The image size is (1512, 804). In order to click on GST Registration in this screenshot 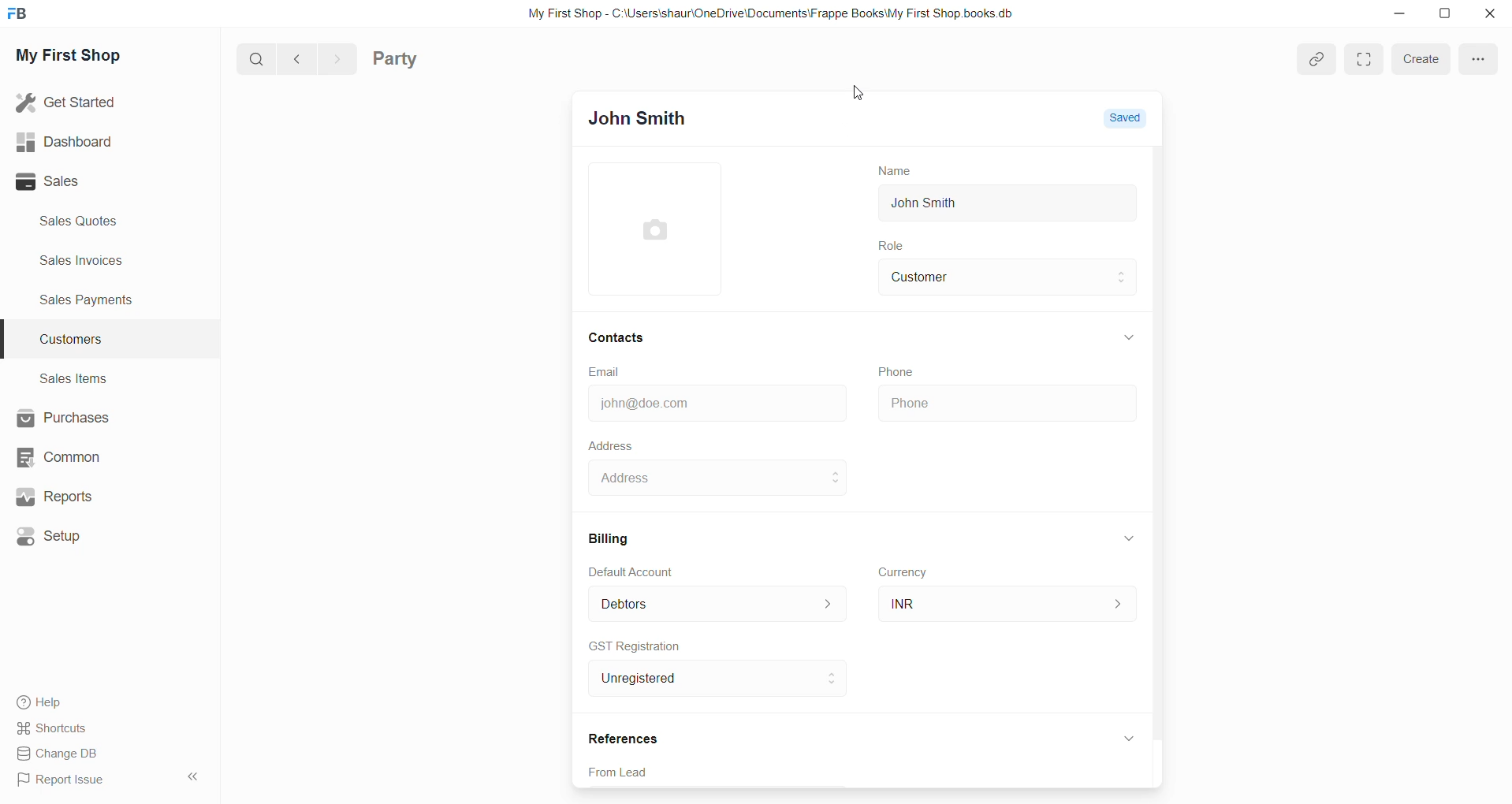, I will do `click(636, 646)`.